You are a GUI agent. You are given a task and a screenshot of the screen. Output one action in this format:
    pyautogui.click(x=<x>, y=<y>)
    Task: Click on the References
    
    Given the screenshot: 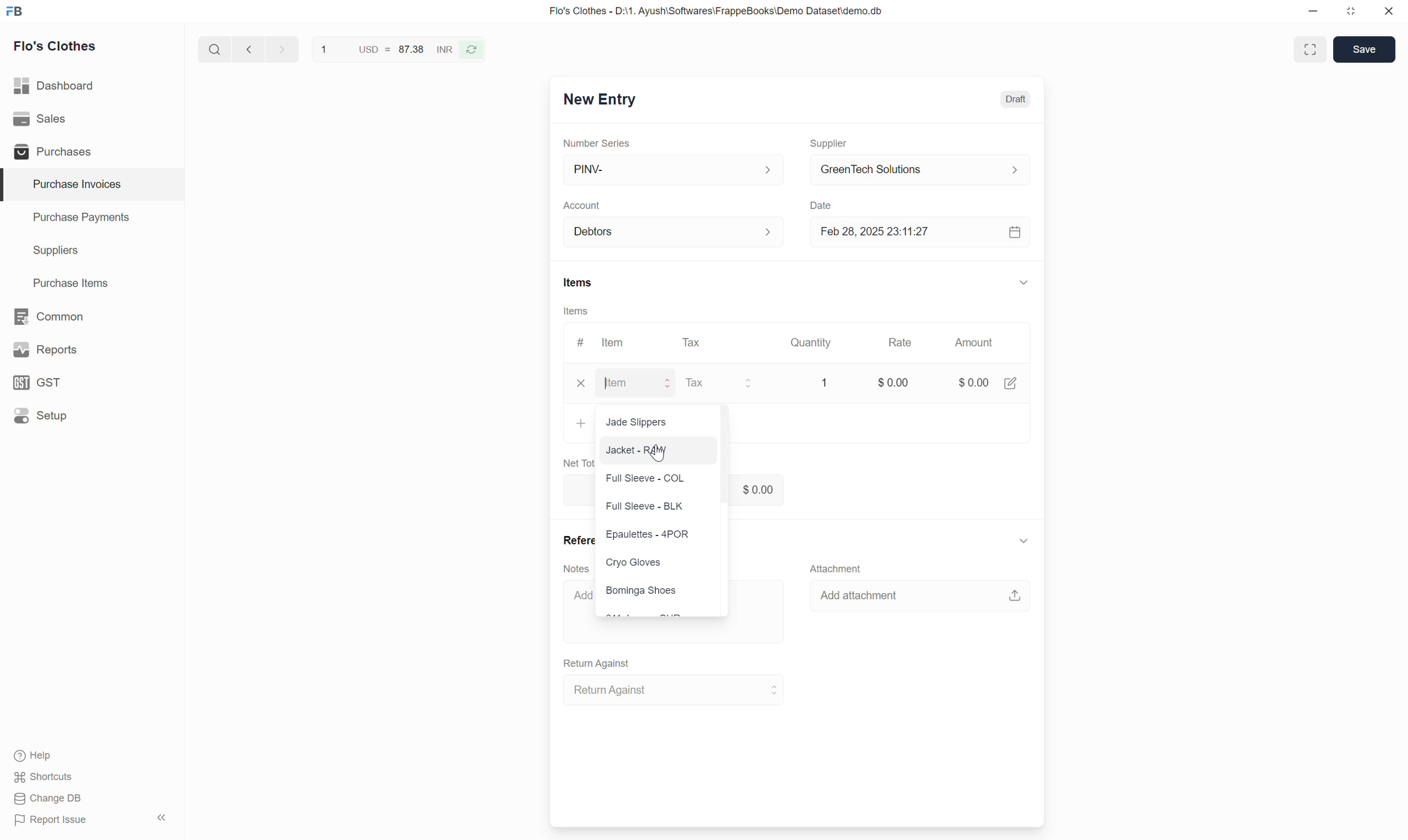 What is the action you would take?
    pyautogui.click(x=577, y=539)
    